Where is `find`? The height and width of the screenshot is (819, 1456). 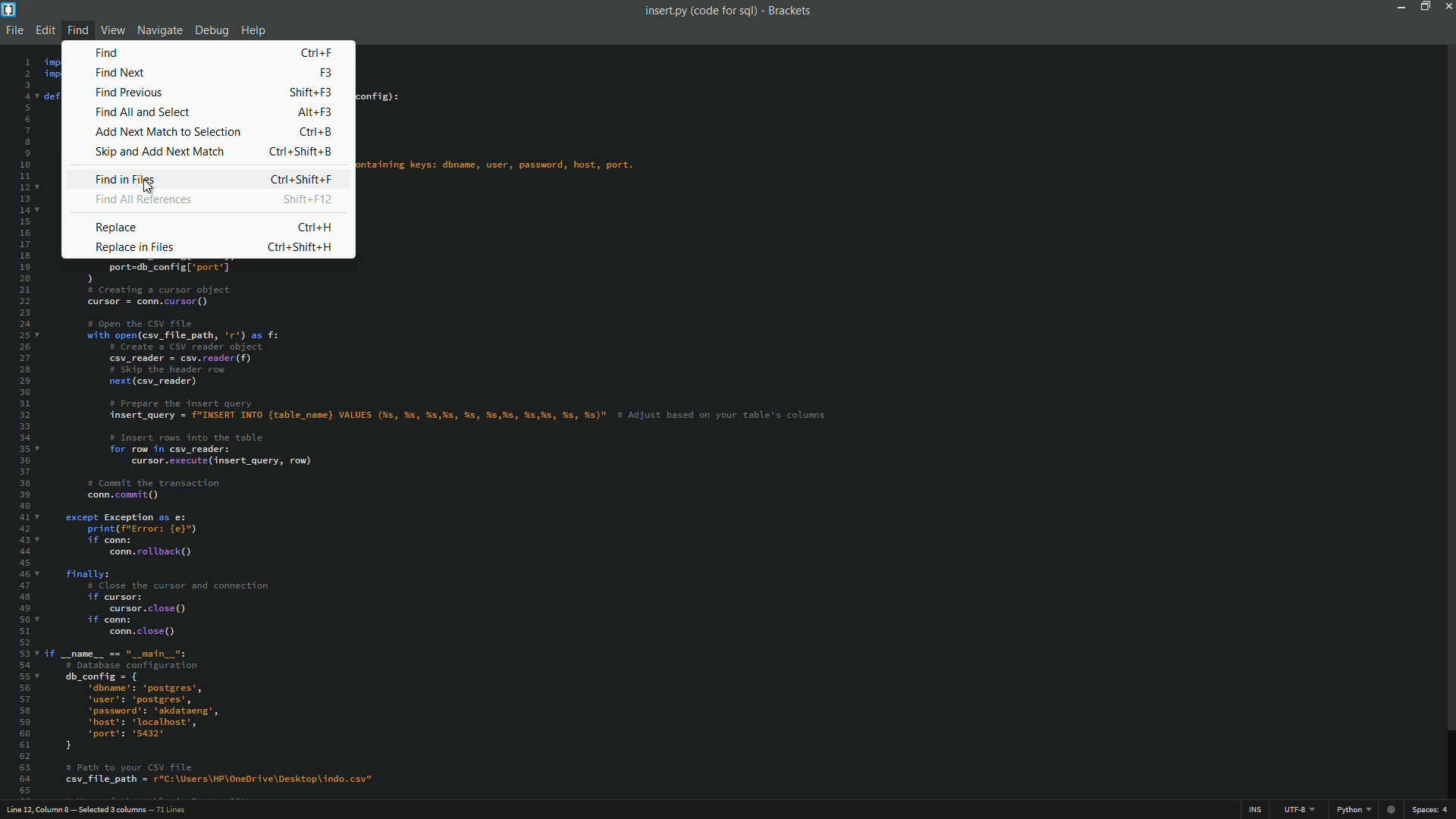 find is located at coordinates (112, 52).